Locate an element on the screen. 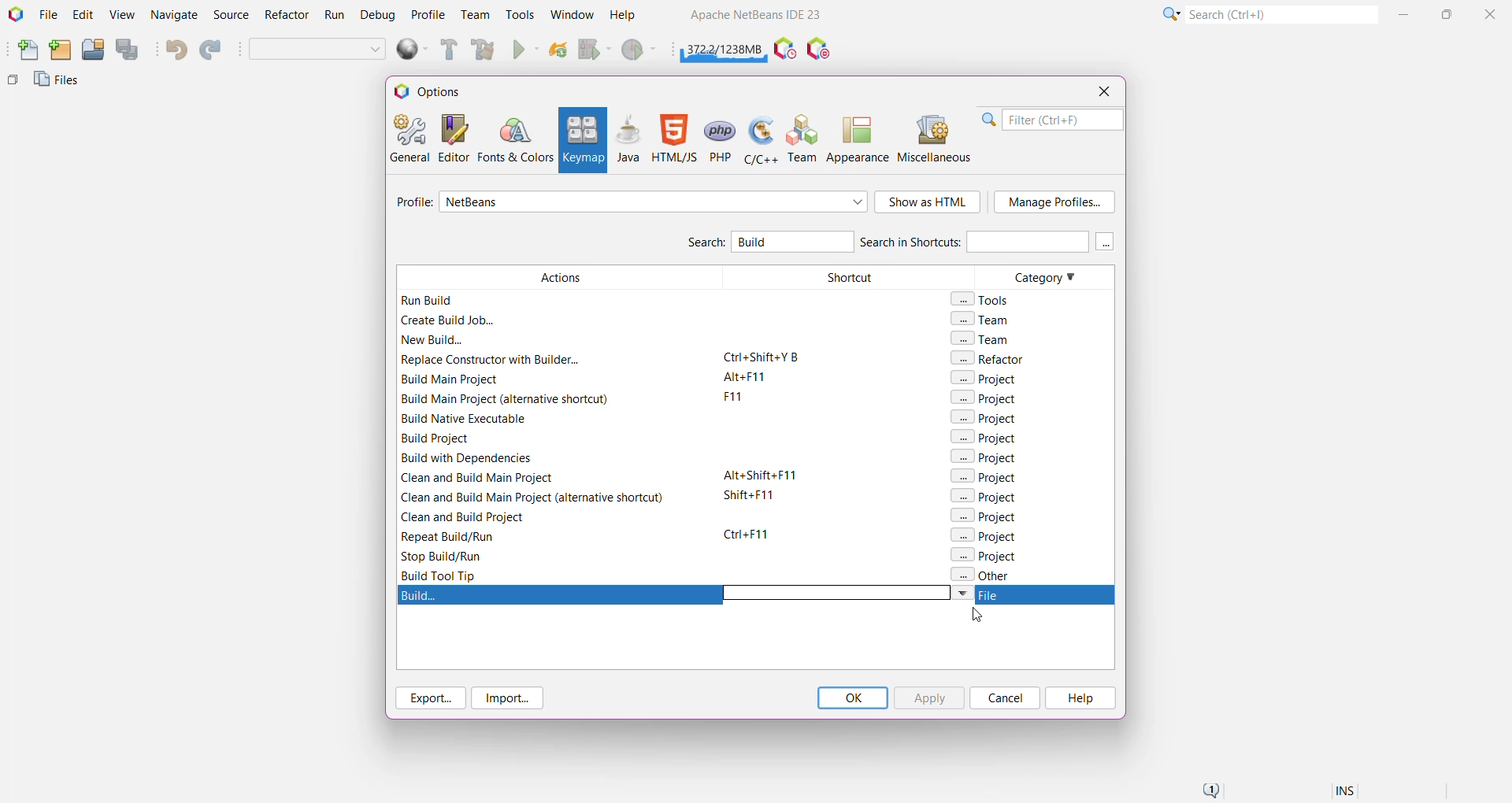 The width and height of the screenshot is (1512, 803). Run is located at coordinates (335, 17).